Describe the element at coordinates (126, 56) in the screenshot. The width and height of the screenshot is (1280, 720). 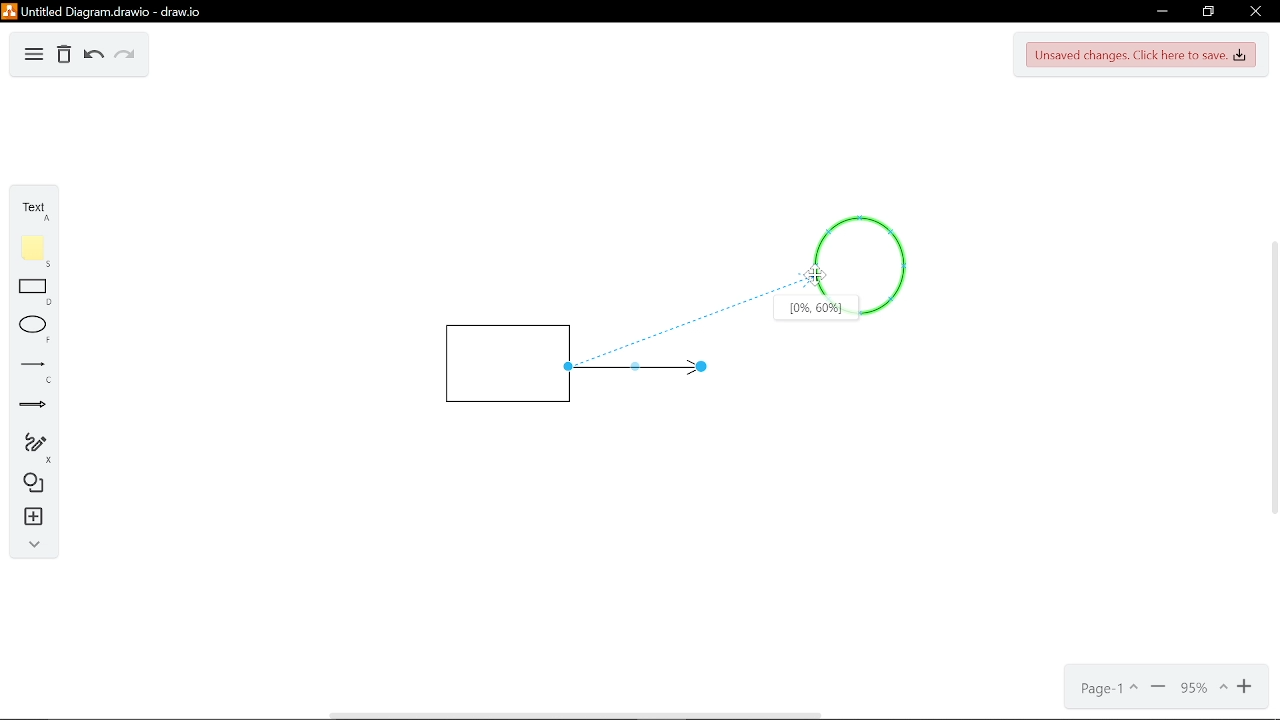
I see `Redo` at that location.